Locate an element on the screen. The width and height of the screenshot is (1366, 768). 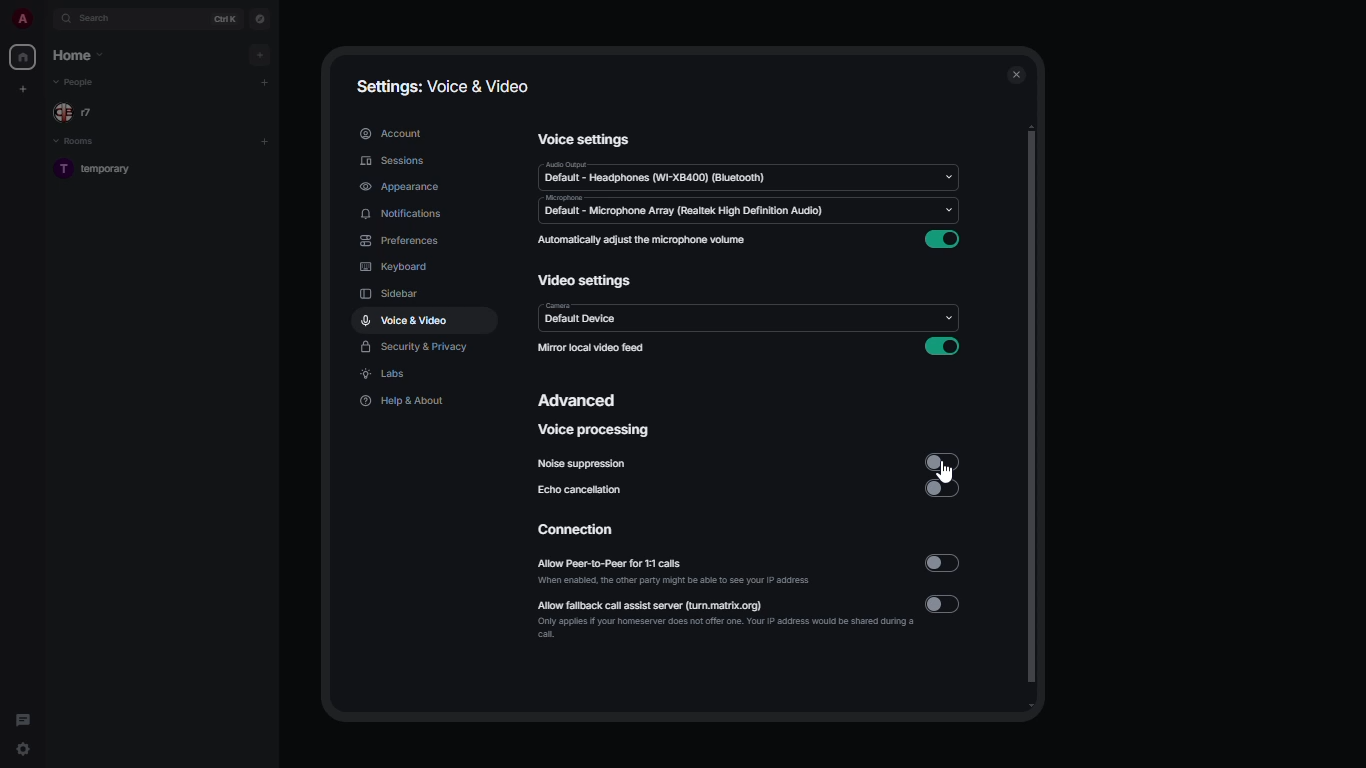
notifications is located at coordinates (410, 213).